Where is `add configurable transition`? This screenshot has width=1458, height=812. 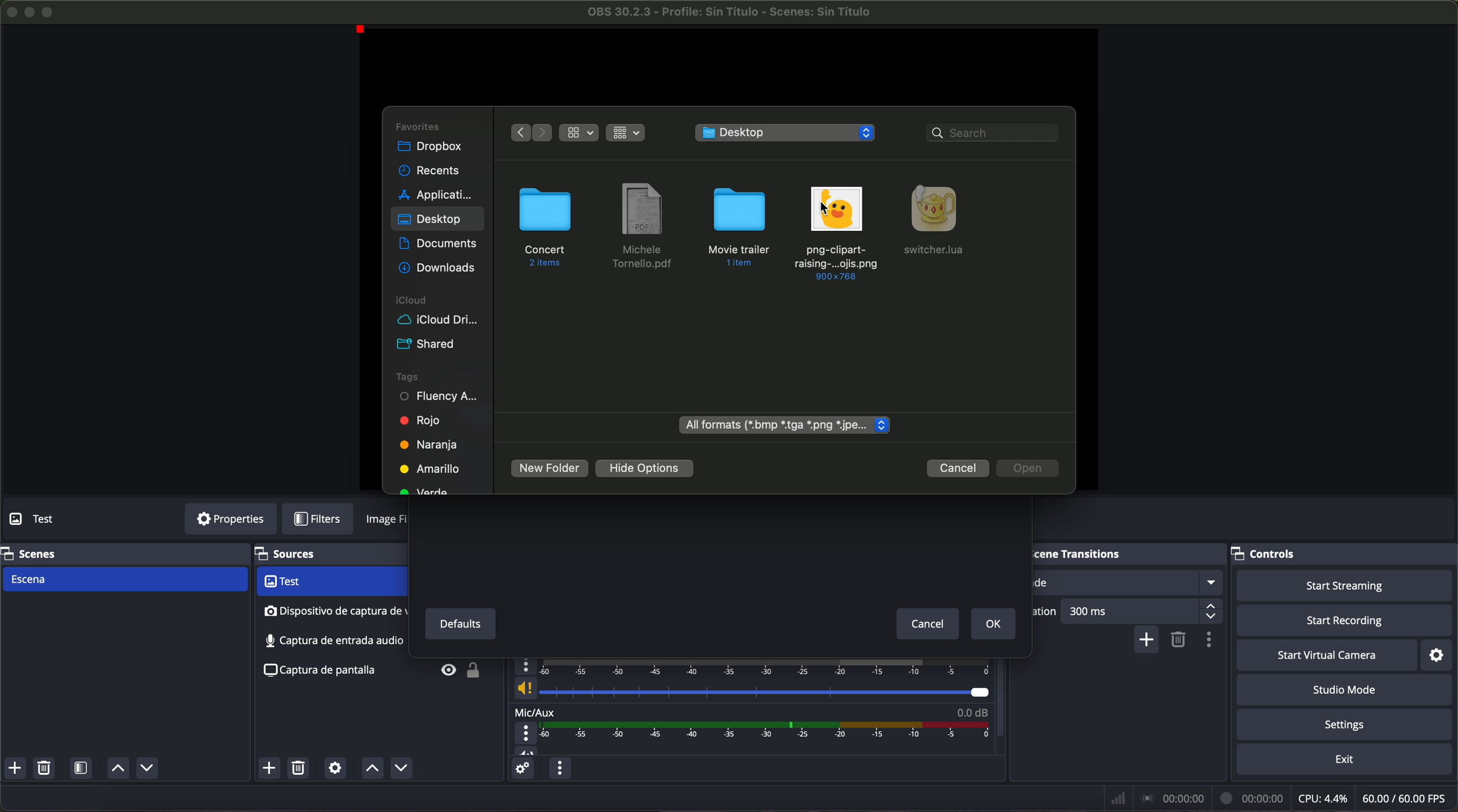
add configurable transition is located at coordinates (1147, 641).